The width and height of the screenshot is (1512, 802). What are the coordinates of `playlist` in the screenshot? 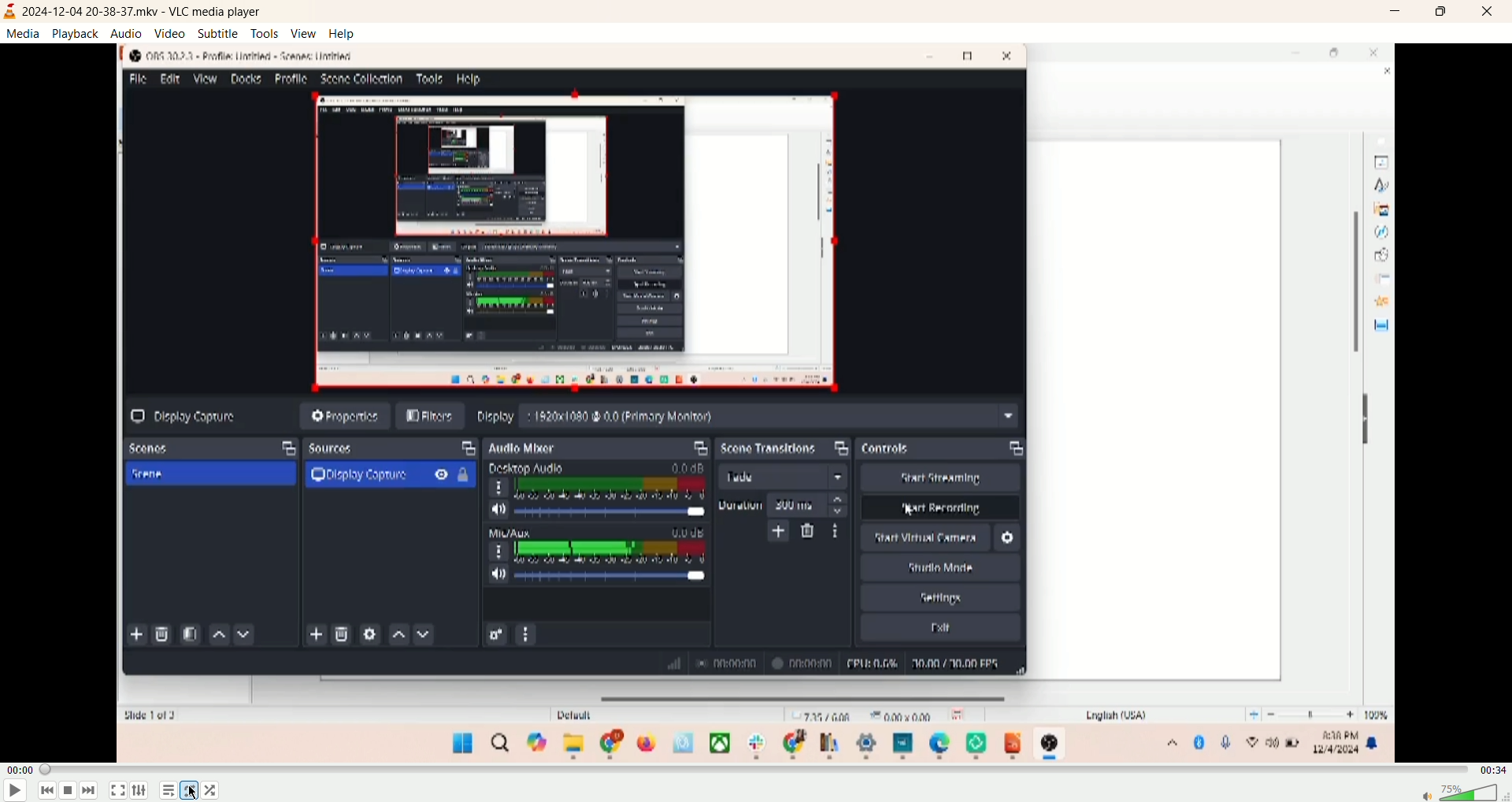 It's located at (169, 791).